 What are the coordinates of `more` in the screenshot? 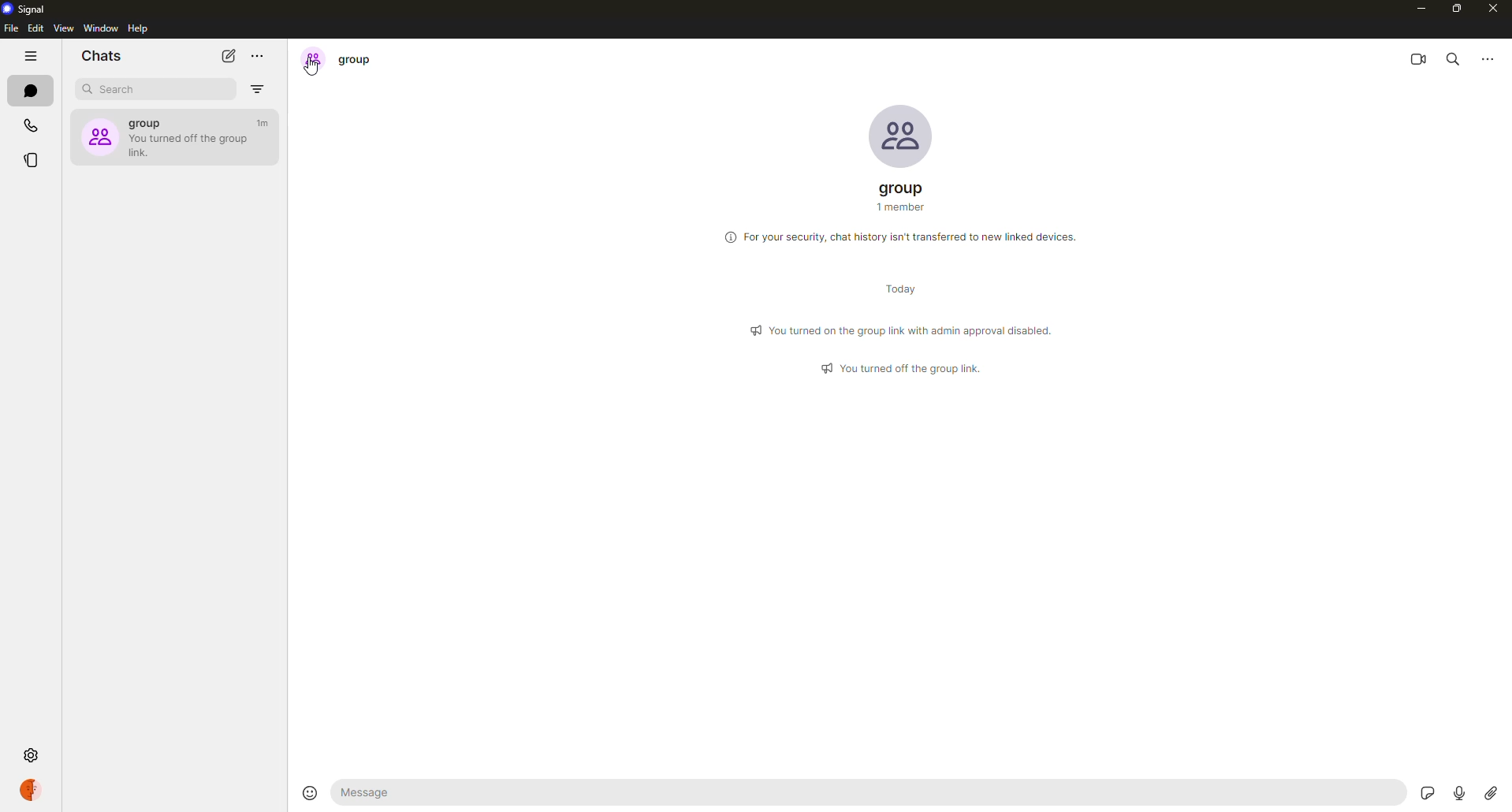 It's located at (1487, 58).